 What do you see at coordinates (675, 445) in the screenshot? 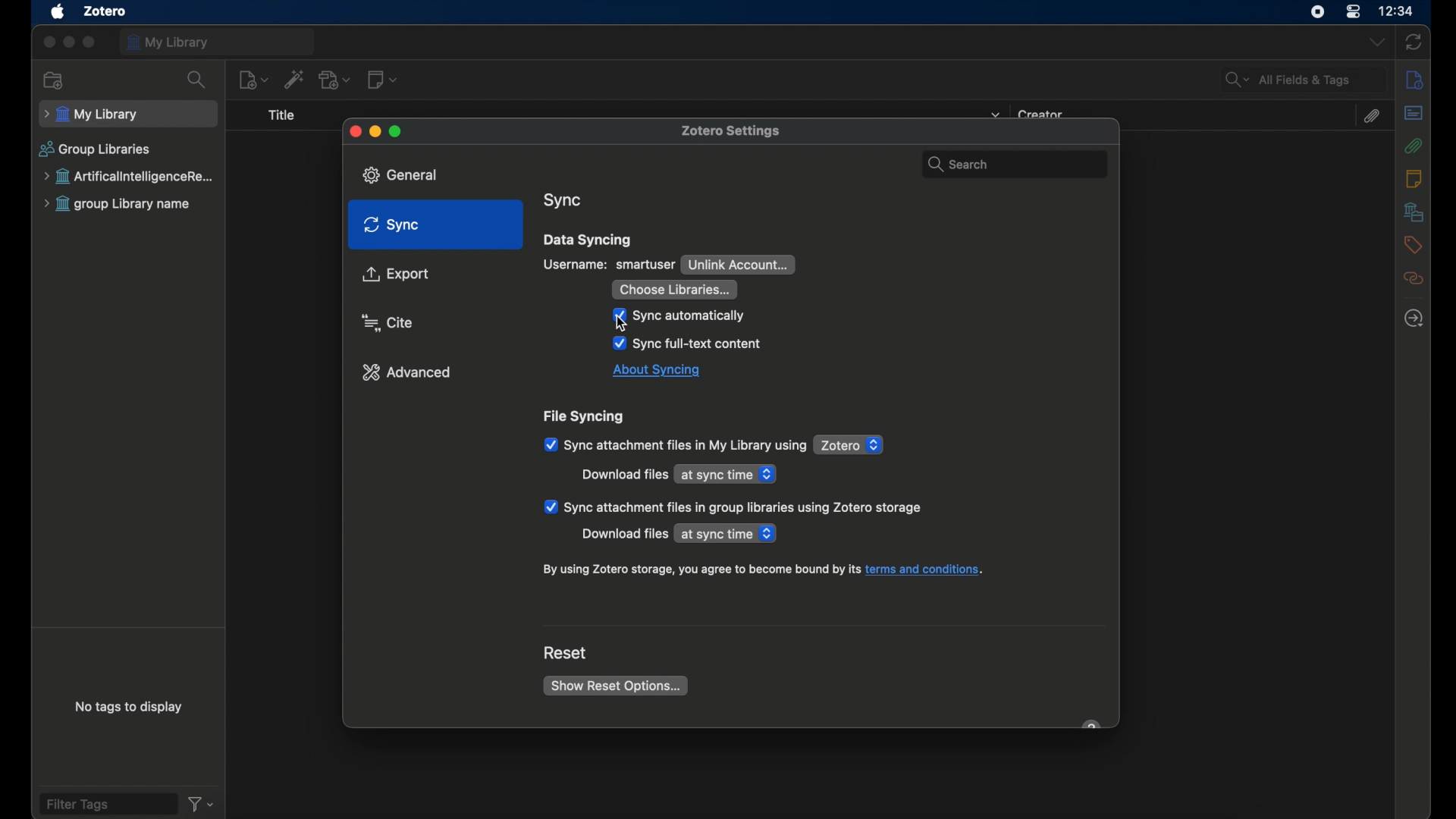
I see `sync attachment files in my library using check box` at bounding box center [675, 445].